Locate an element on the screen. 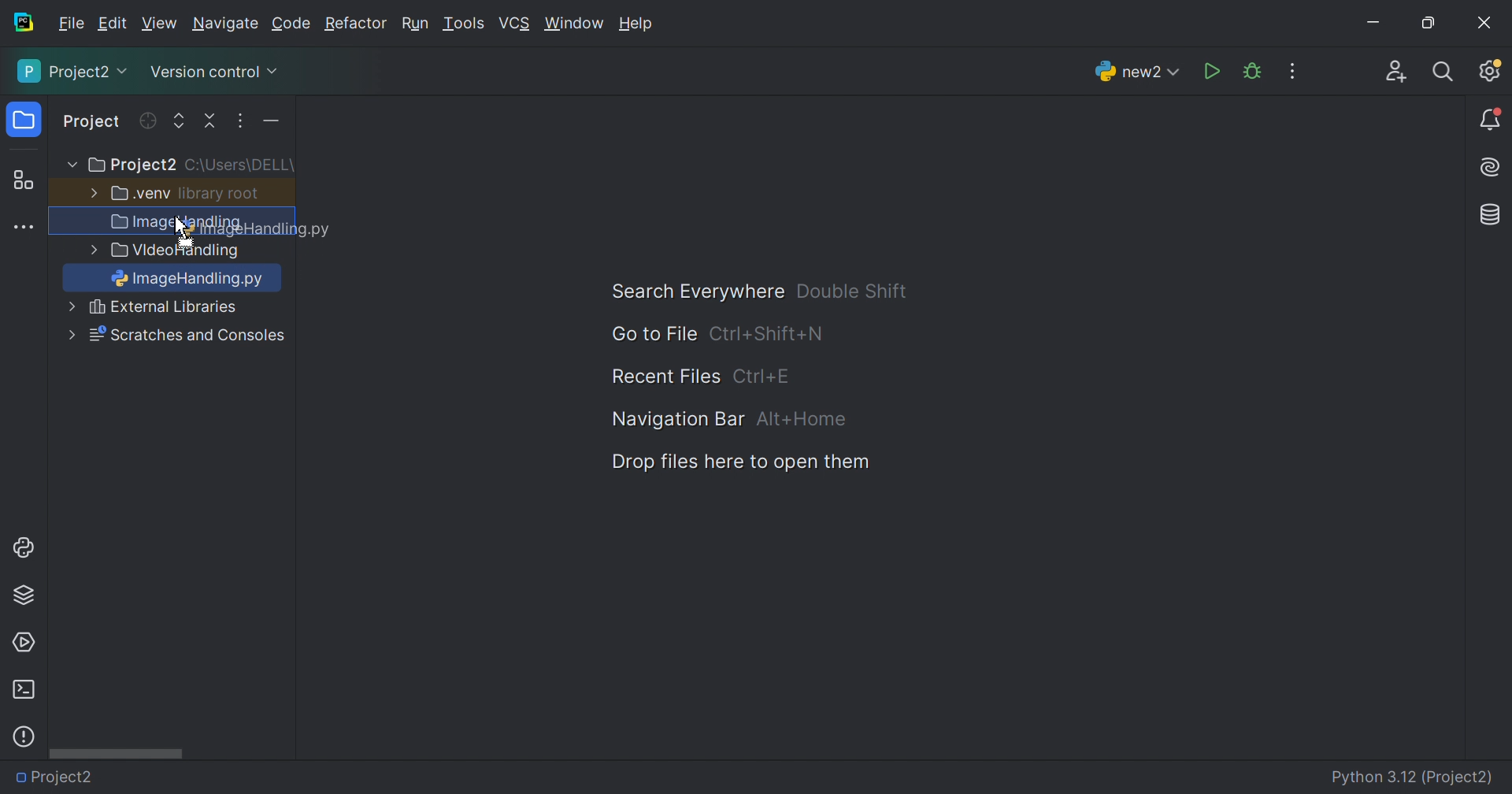 Image resolution: width=1512 pixels, height=794 pixels. More is located at coordinates (70, 334).